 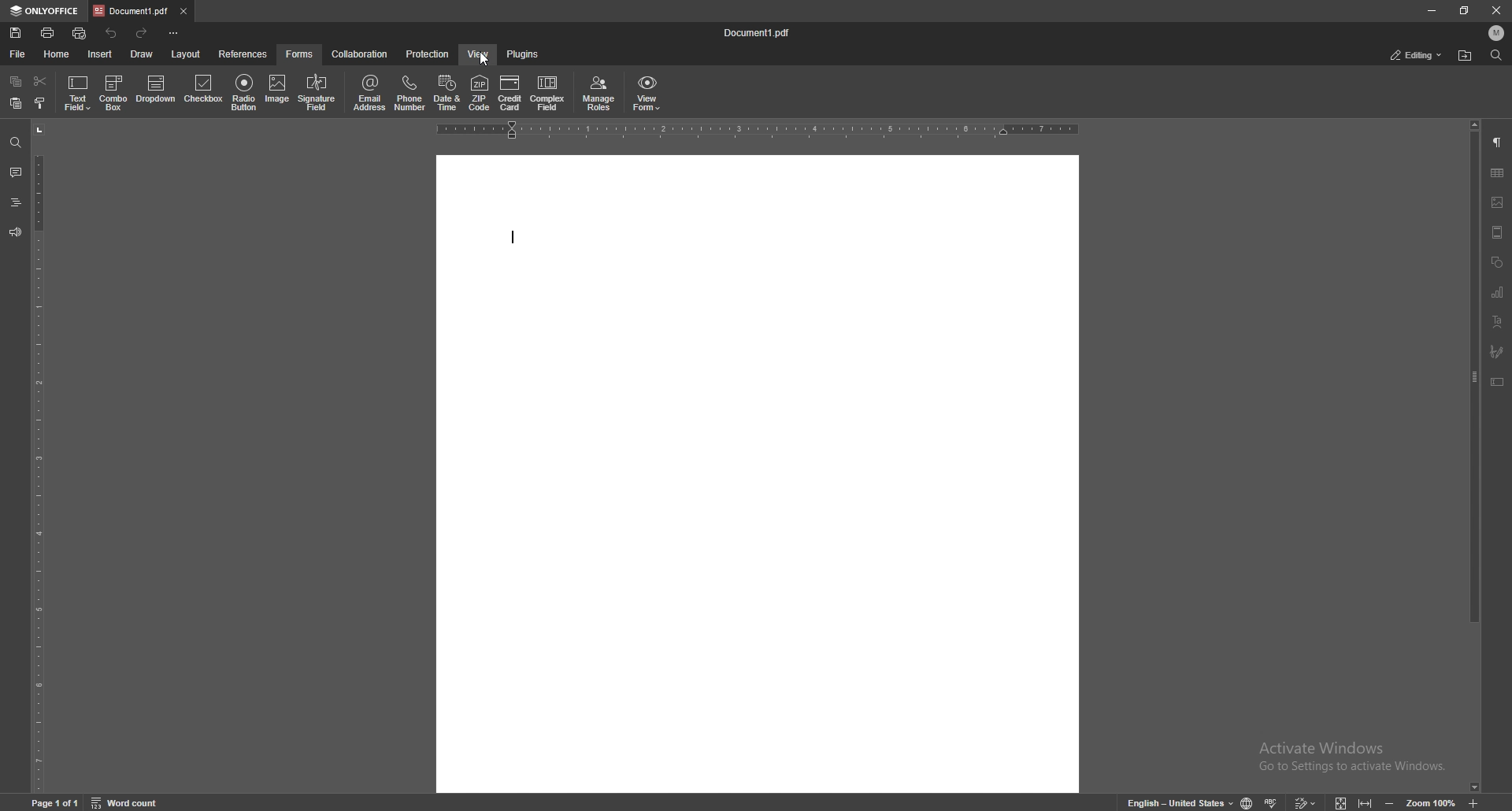 What do you see at coordinates (1248, 802) in the screenshot?
I see `change doc language` at bounding box center [1248, 802].